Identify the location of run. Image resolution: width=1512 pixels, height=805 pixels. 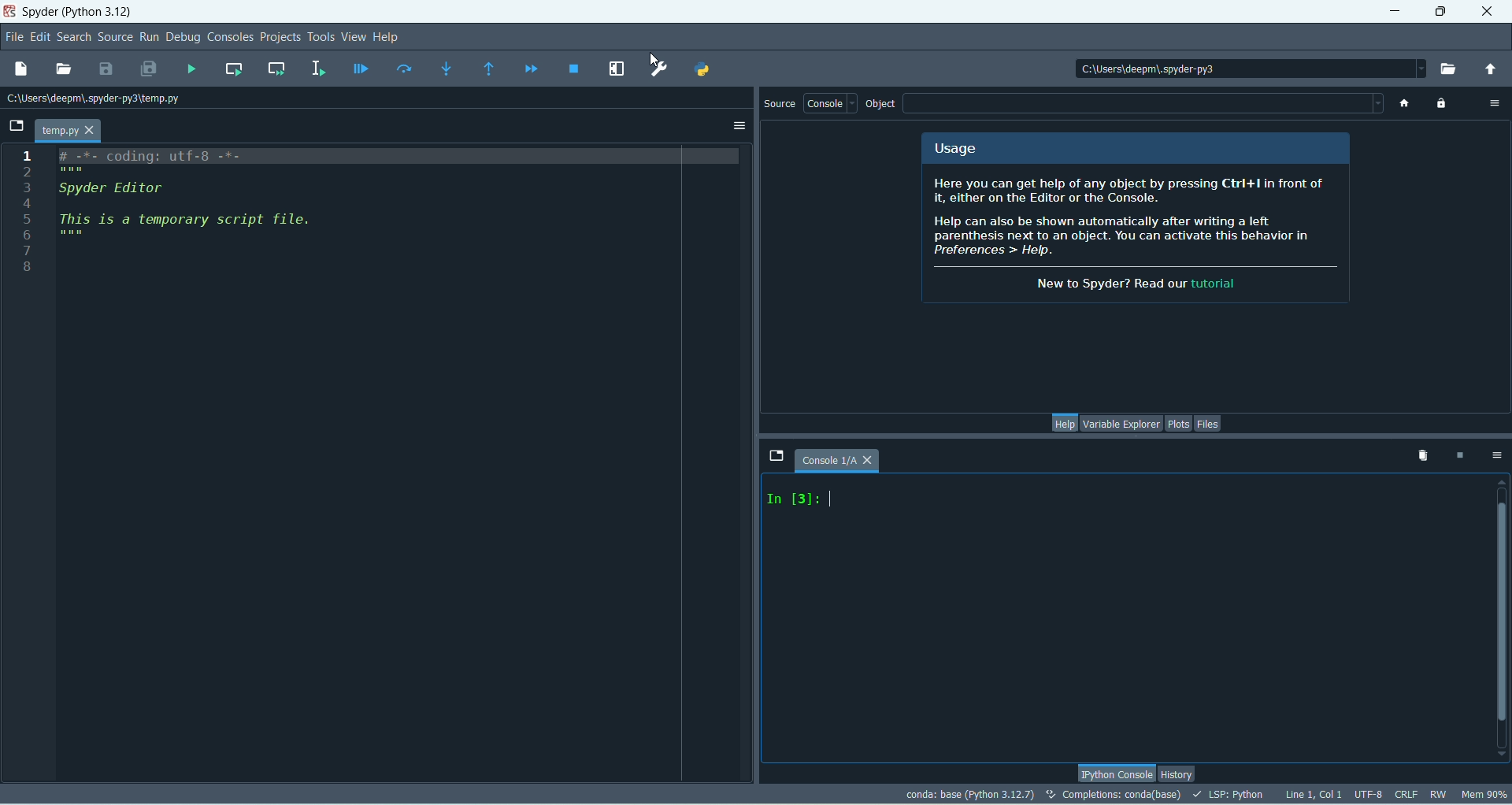
(148, 37).